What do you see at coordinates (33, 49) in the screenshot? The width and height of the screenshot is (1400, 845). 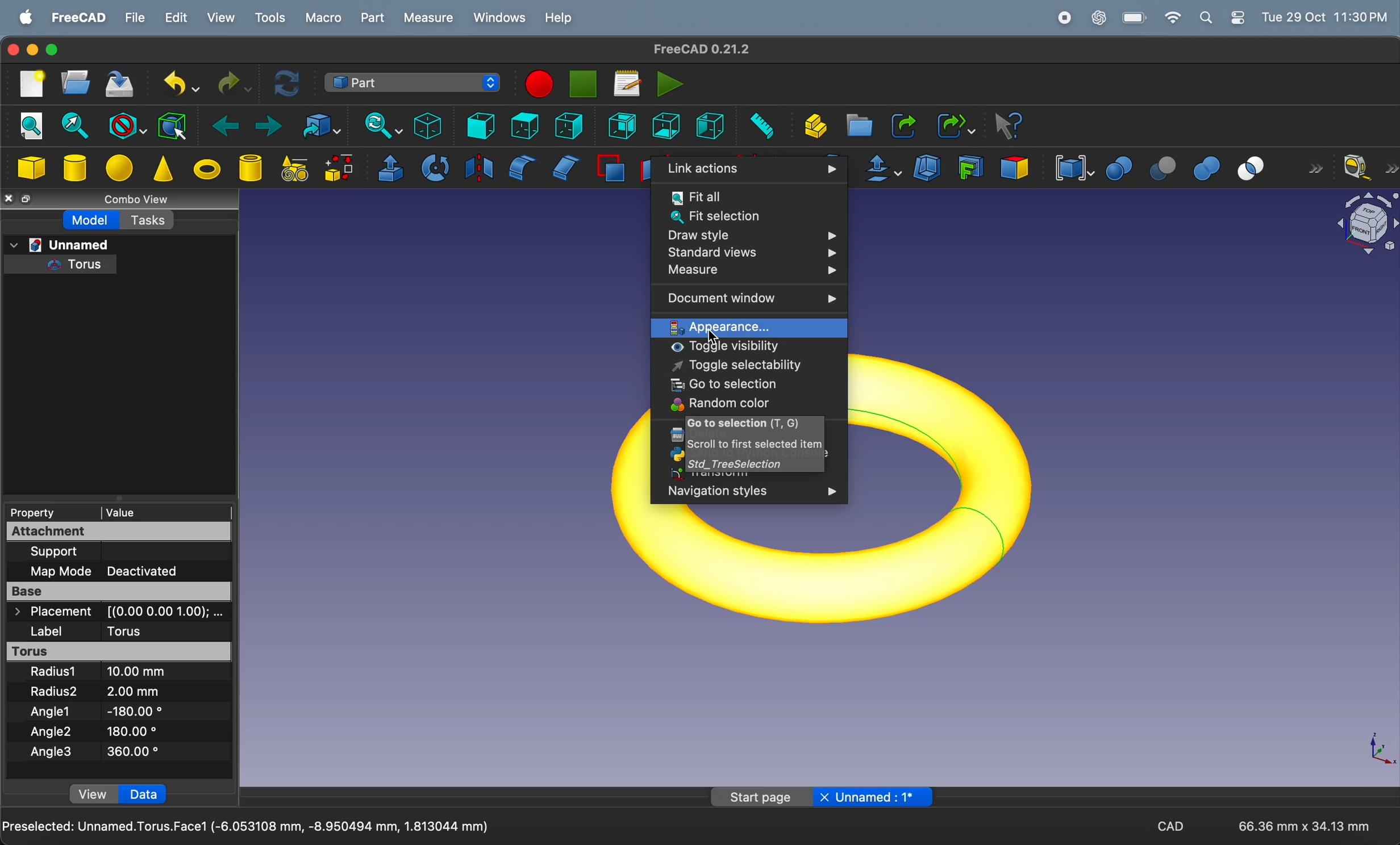 I see `minimize` at bounding box center [33, 49].